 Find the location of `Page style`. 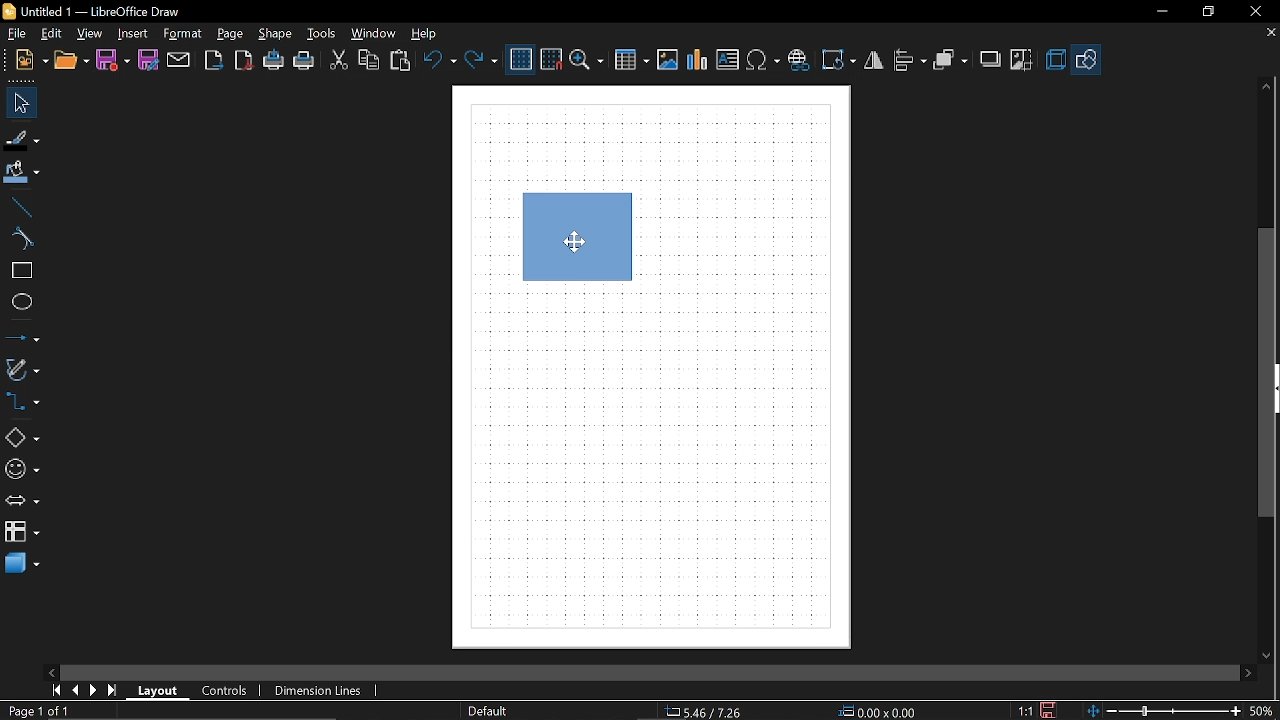

Page style is located at coordinates (486, 712).